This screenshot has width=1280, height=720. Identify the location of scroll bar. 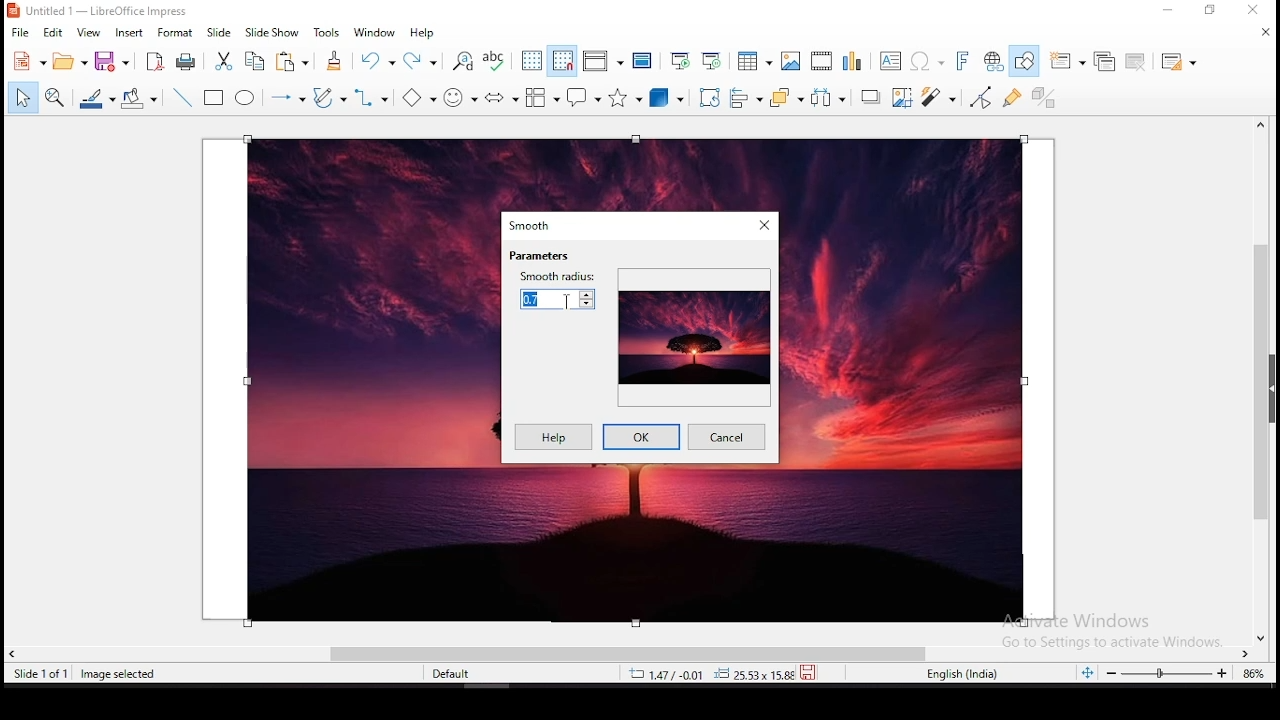
(631, 652).